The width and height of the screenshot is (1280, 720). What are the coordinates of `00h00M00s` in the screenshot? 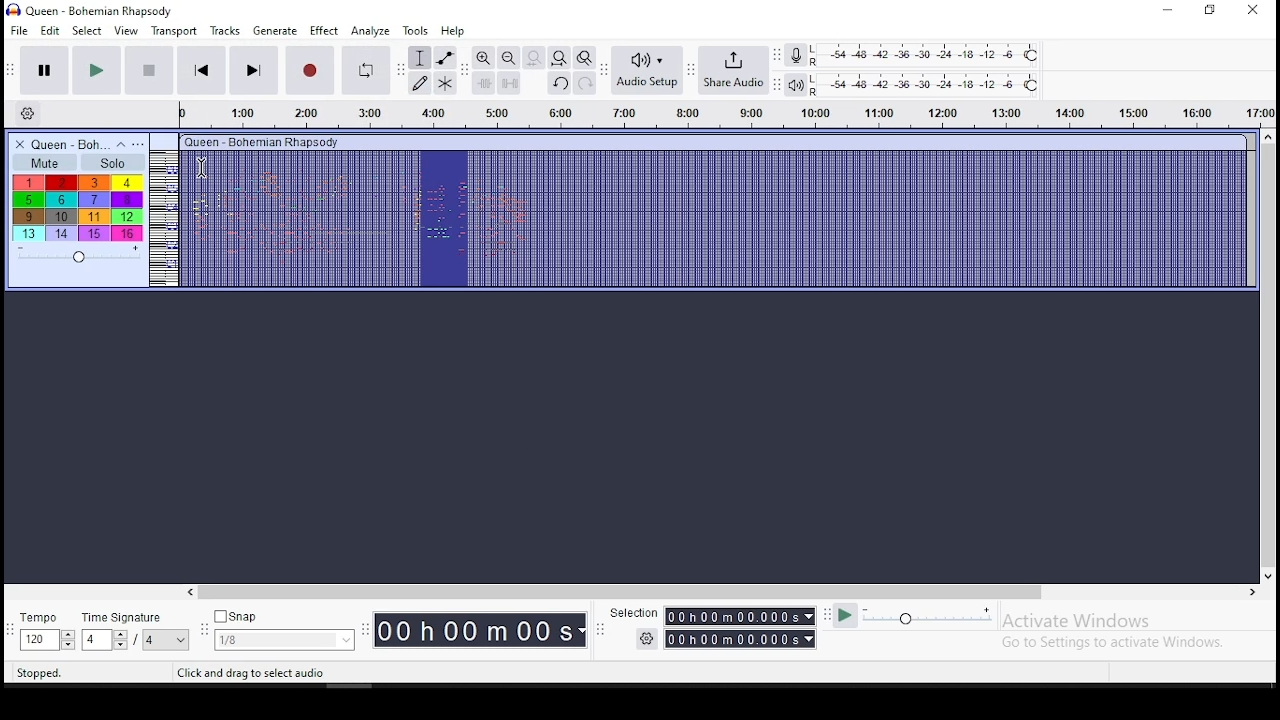 It's located at (480, 630).